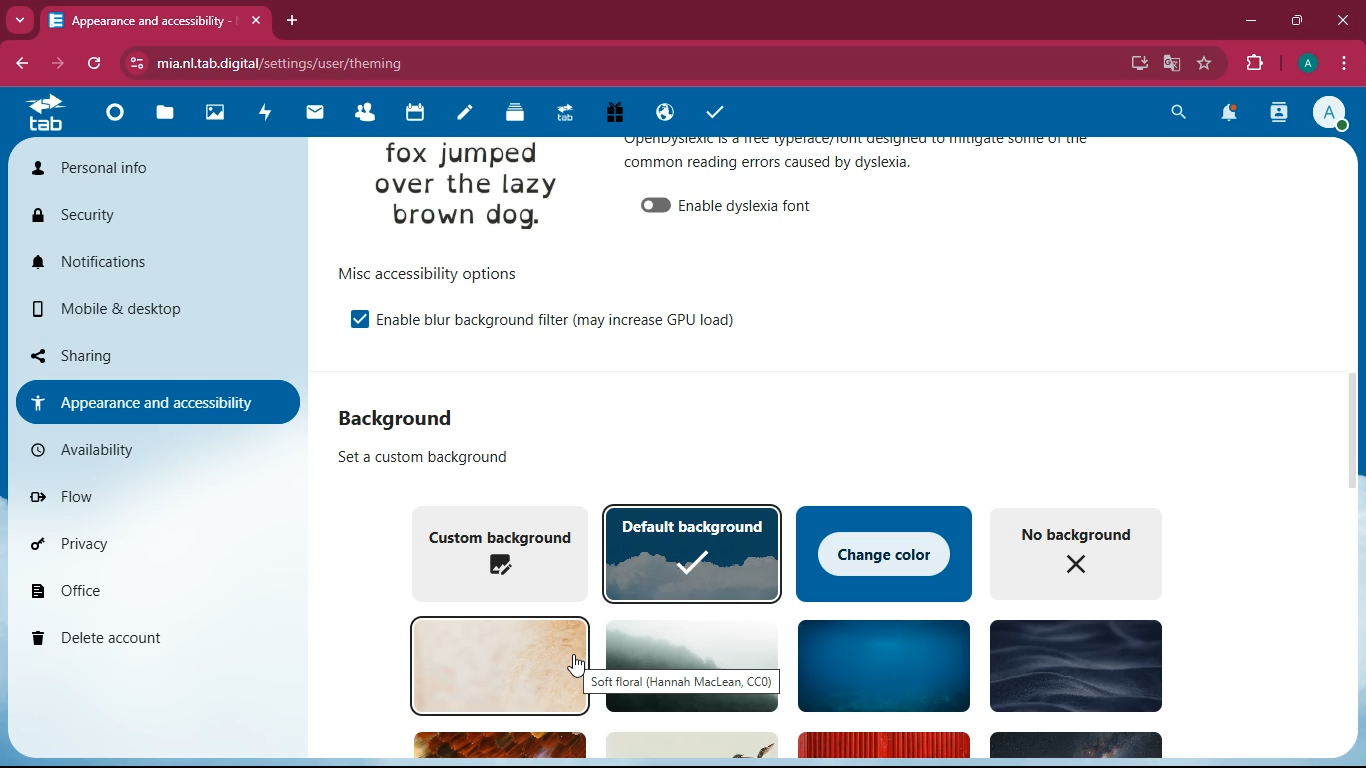 The width and height of the screenshot is (1366, 768). What do you see at coordinates (1306, 63) in the screenshot?
I see `pfoile` at bounding box center [1306, 63].